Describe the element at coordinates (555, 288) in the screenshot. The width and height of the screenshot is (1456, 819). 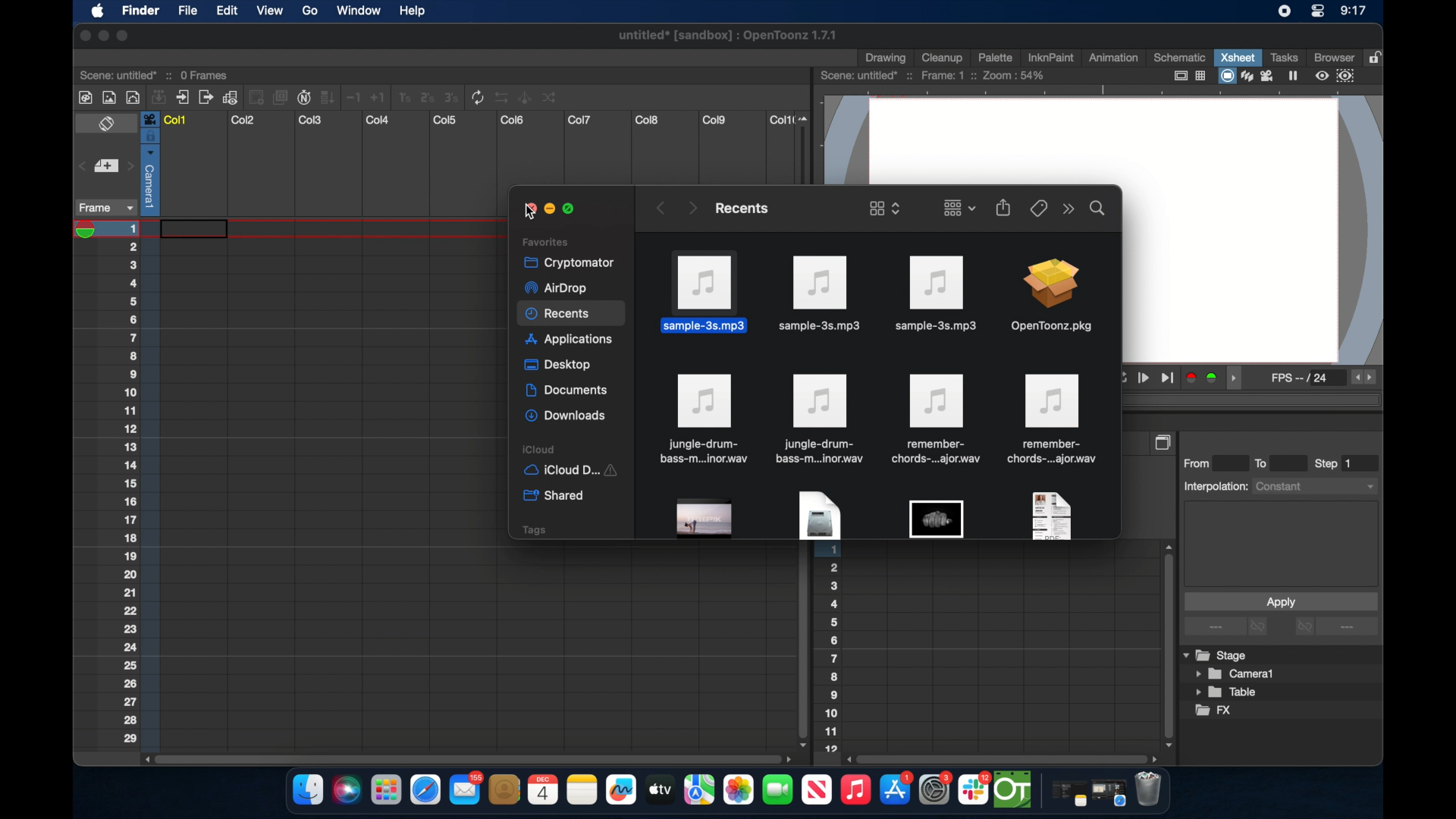
I see `airdrop` at that location.